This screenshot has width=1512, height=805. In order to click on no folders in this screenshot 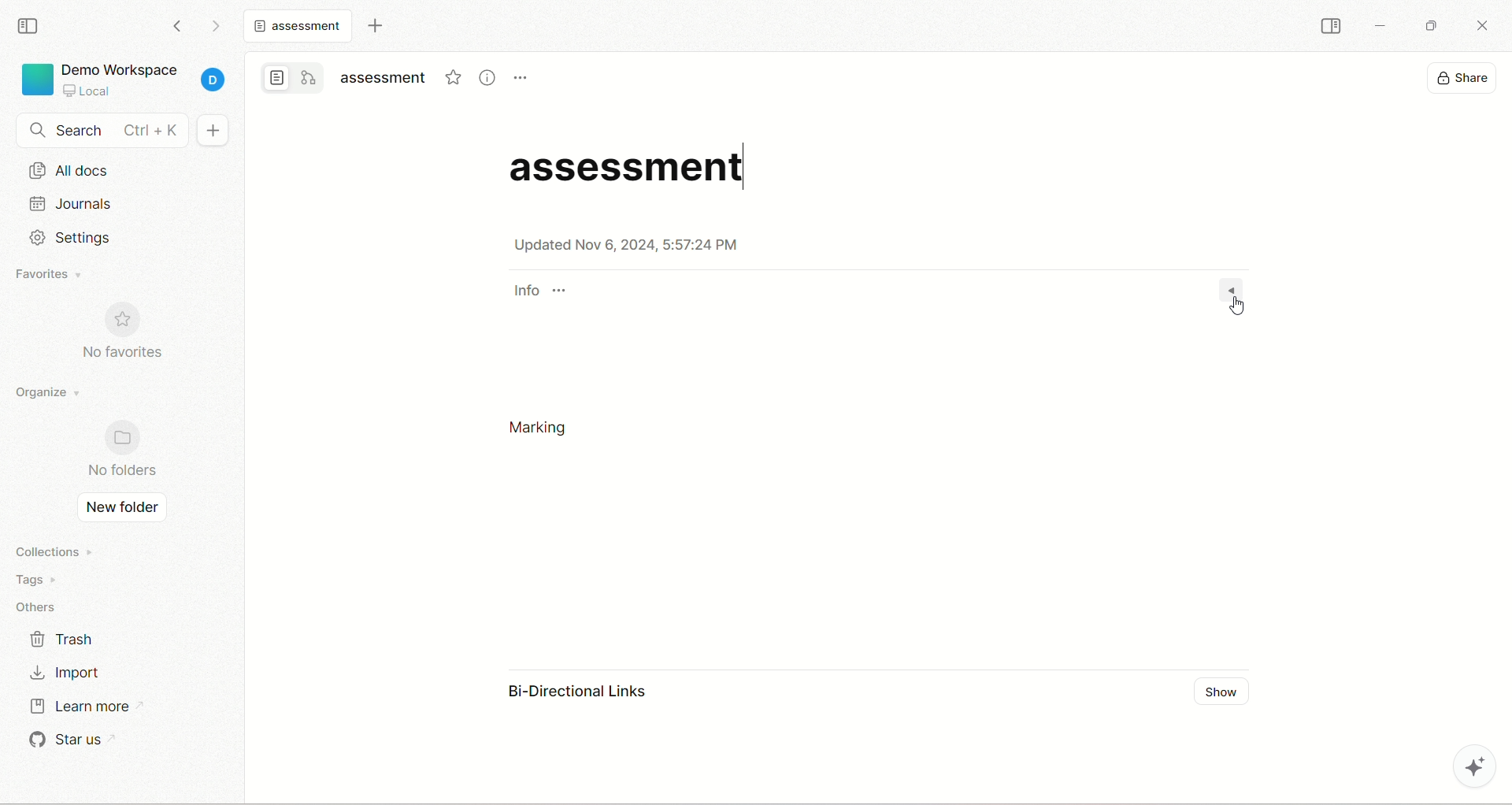, I will do `click(124, 470)`.